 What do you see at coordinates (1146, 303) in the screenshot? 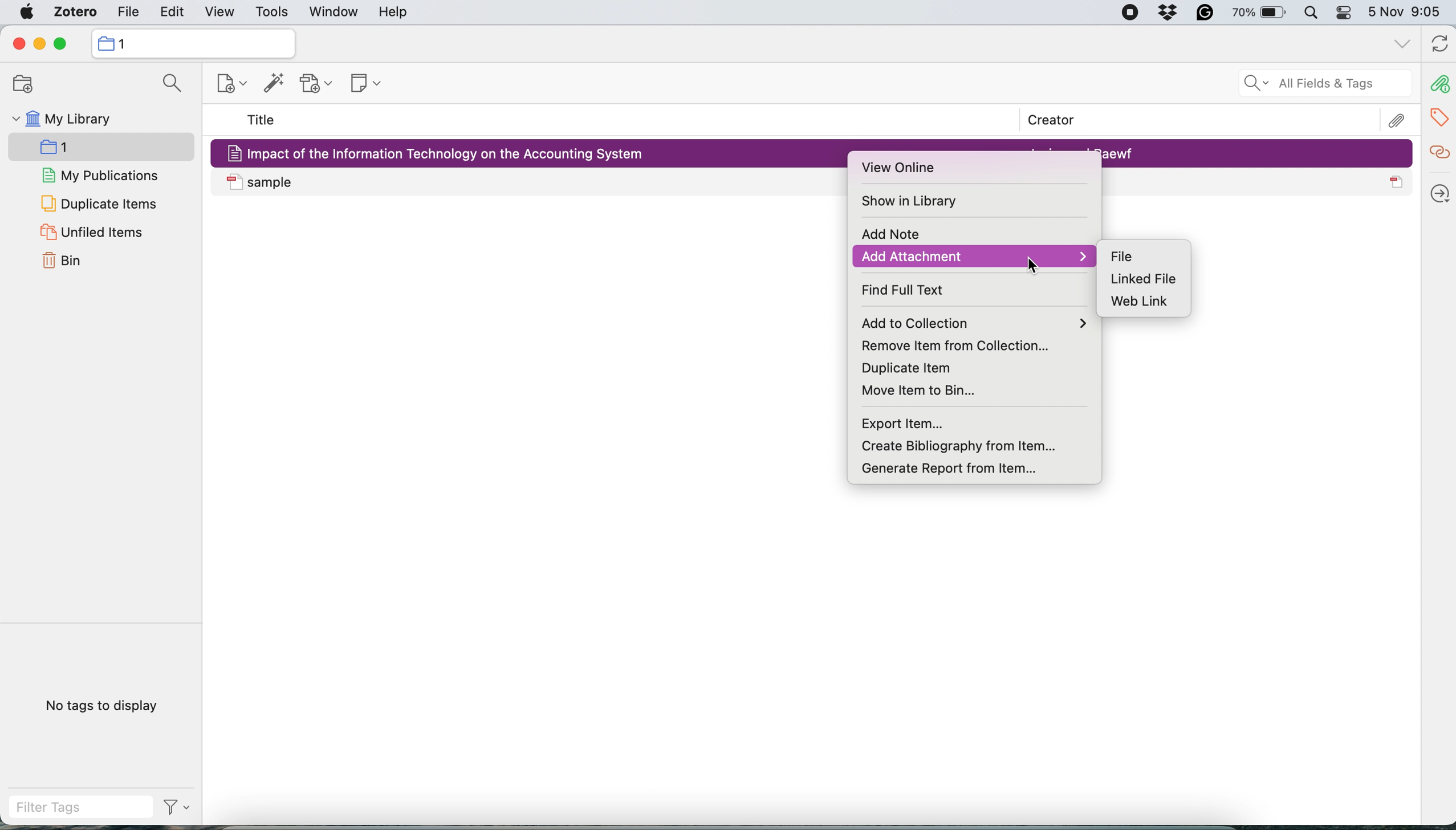
I see `web link` at bounding box center [1146, 303].